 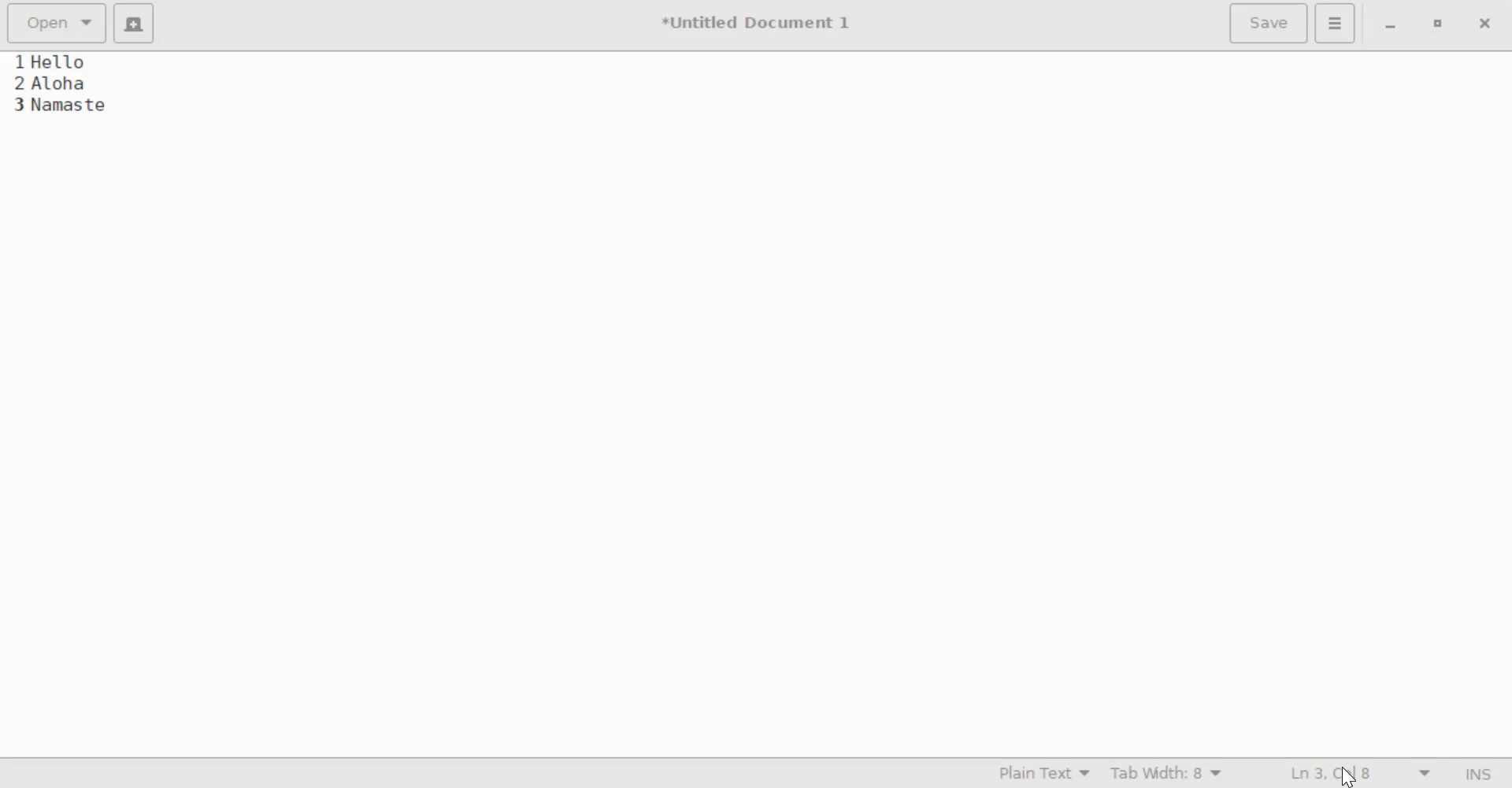 What do you see at coordinates (1173, 773) in the screenshot?
I see `Tab Width: 8` at bounding box center [1173, 773].